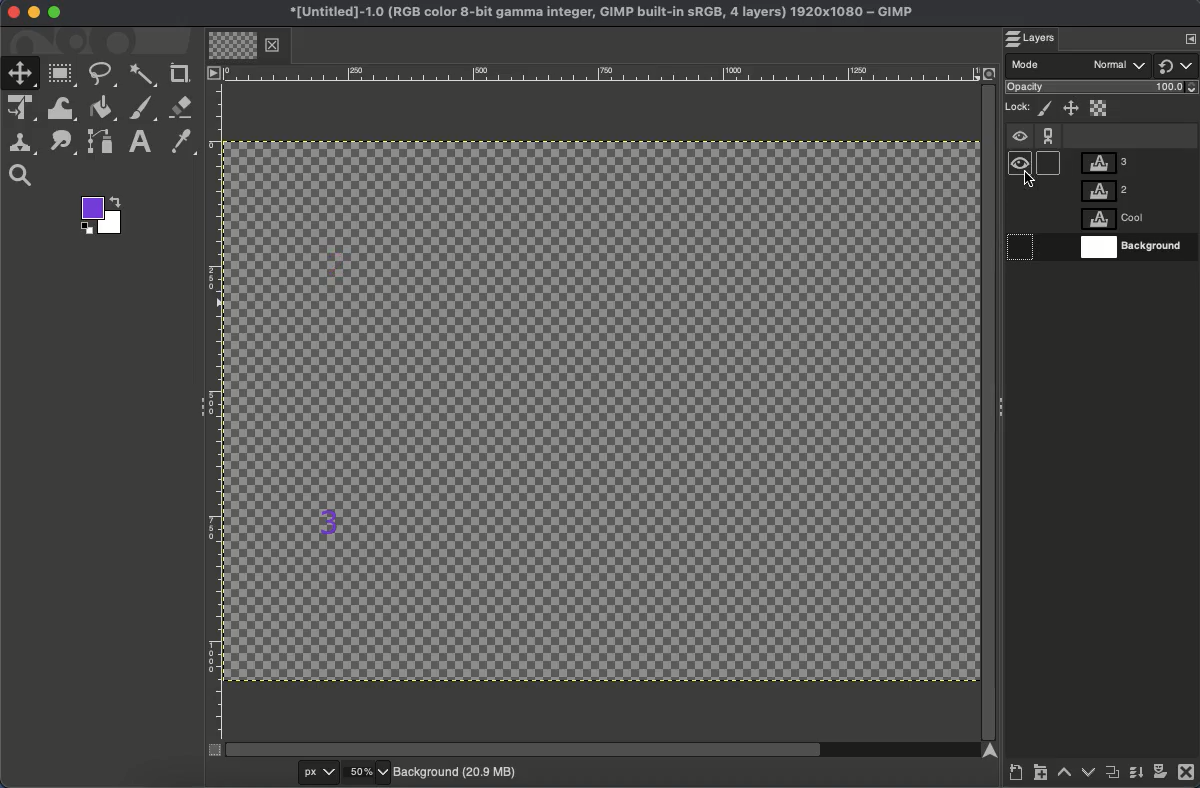  Describe the element at coordinates (63, 110) in the screenshot. I see `Warp transformation` at that location.